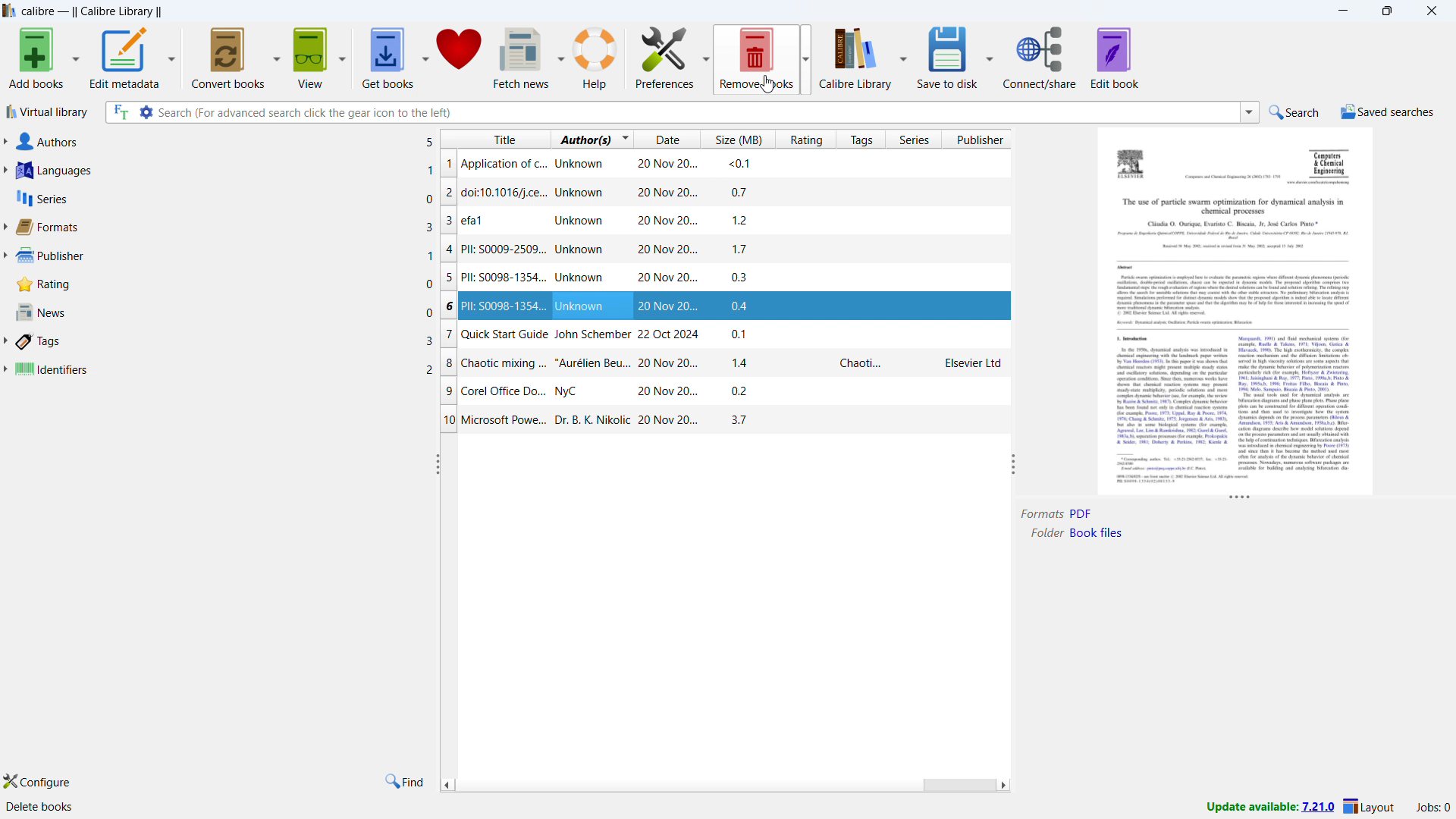 The height and width of the screenshot is (819, 1456). What do you see at coordinates (1044, 533) in the screenshot?
I see `Folder` at bounding box center [1044, 533].